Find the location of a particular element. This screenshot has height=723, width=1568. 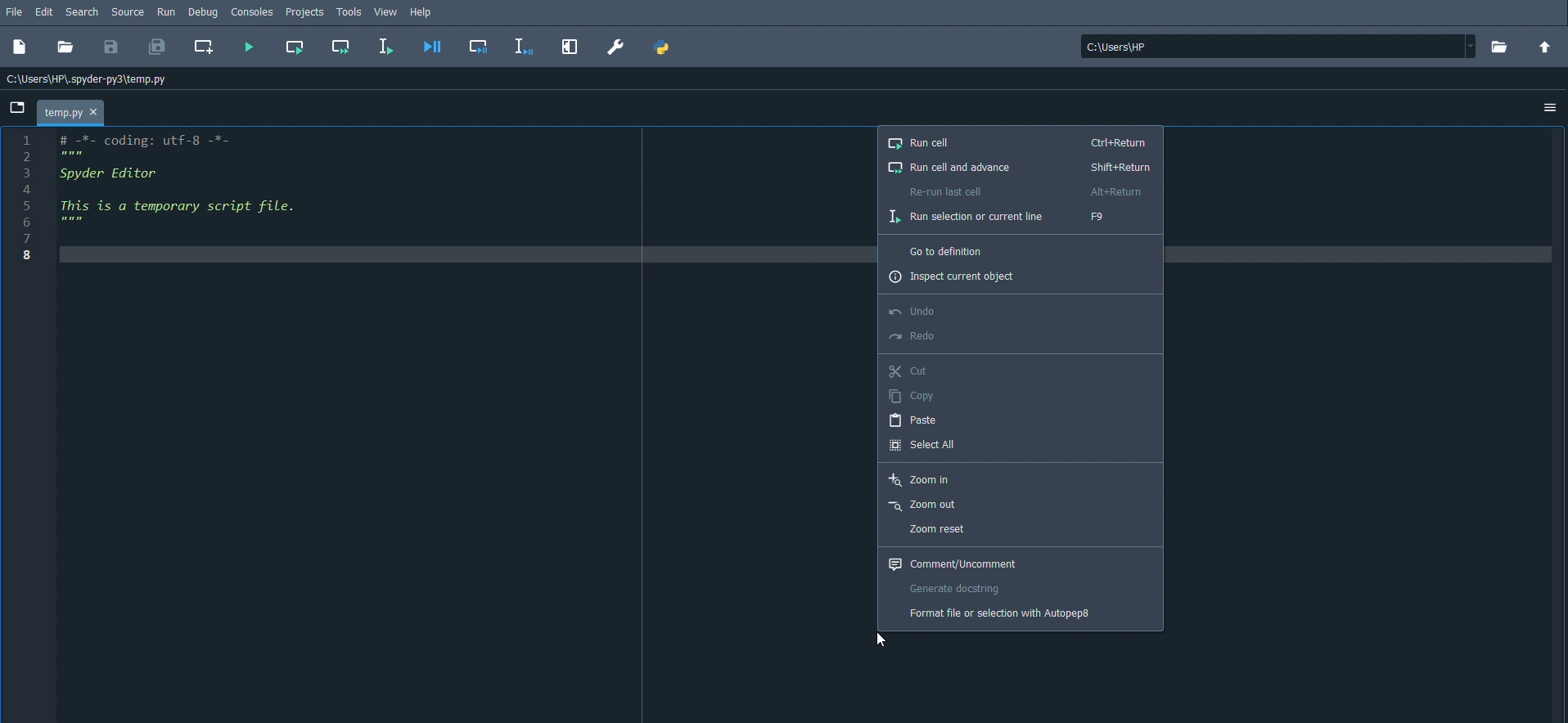

Run current cell and go to the next one is located at coordinates (341, 47).